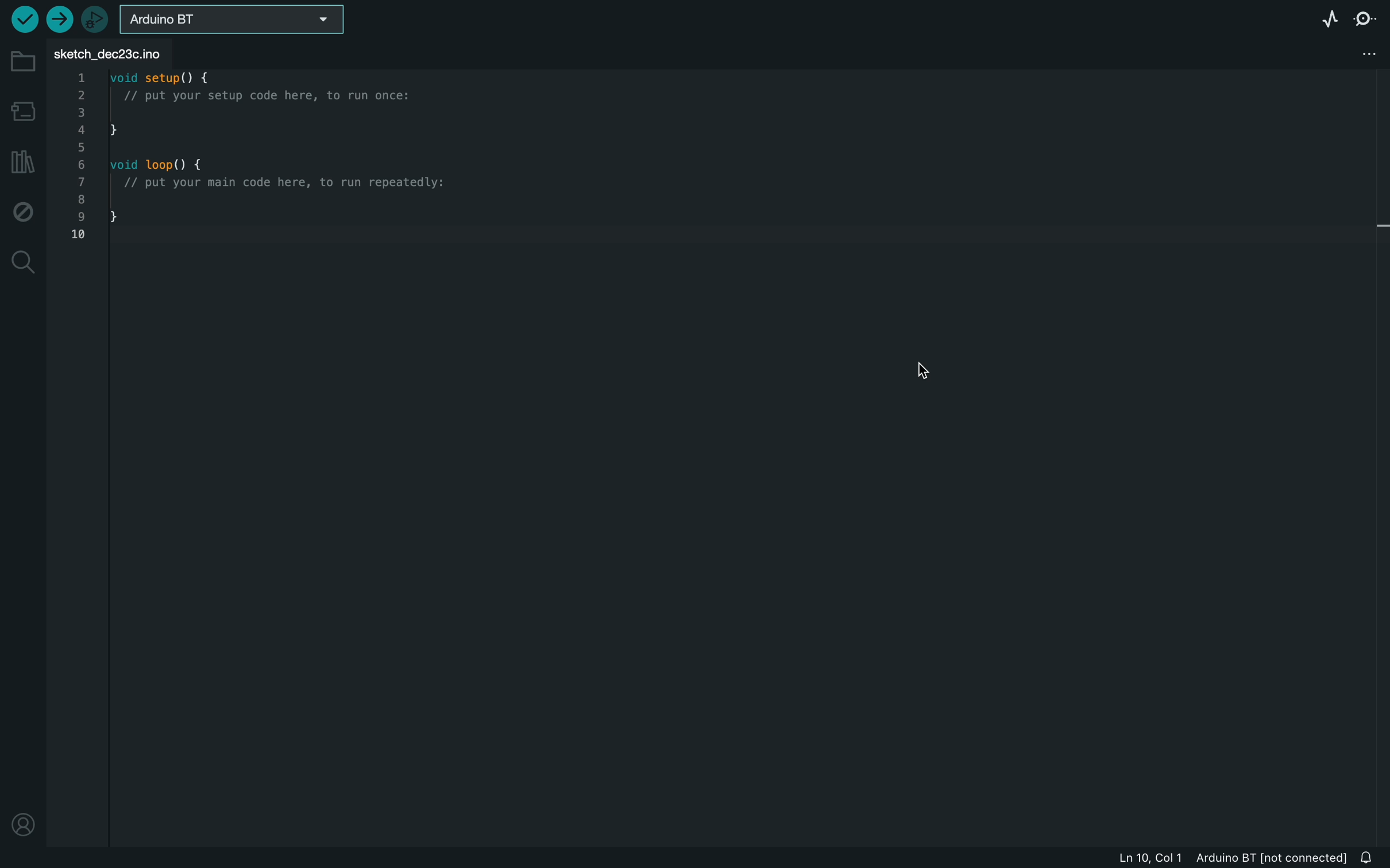 The width and height of the screenshot is (1390, 868). I want to click on verify, so click(25, 20).